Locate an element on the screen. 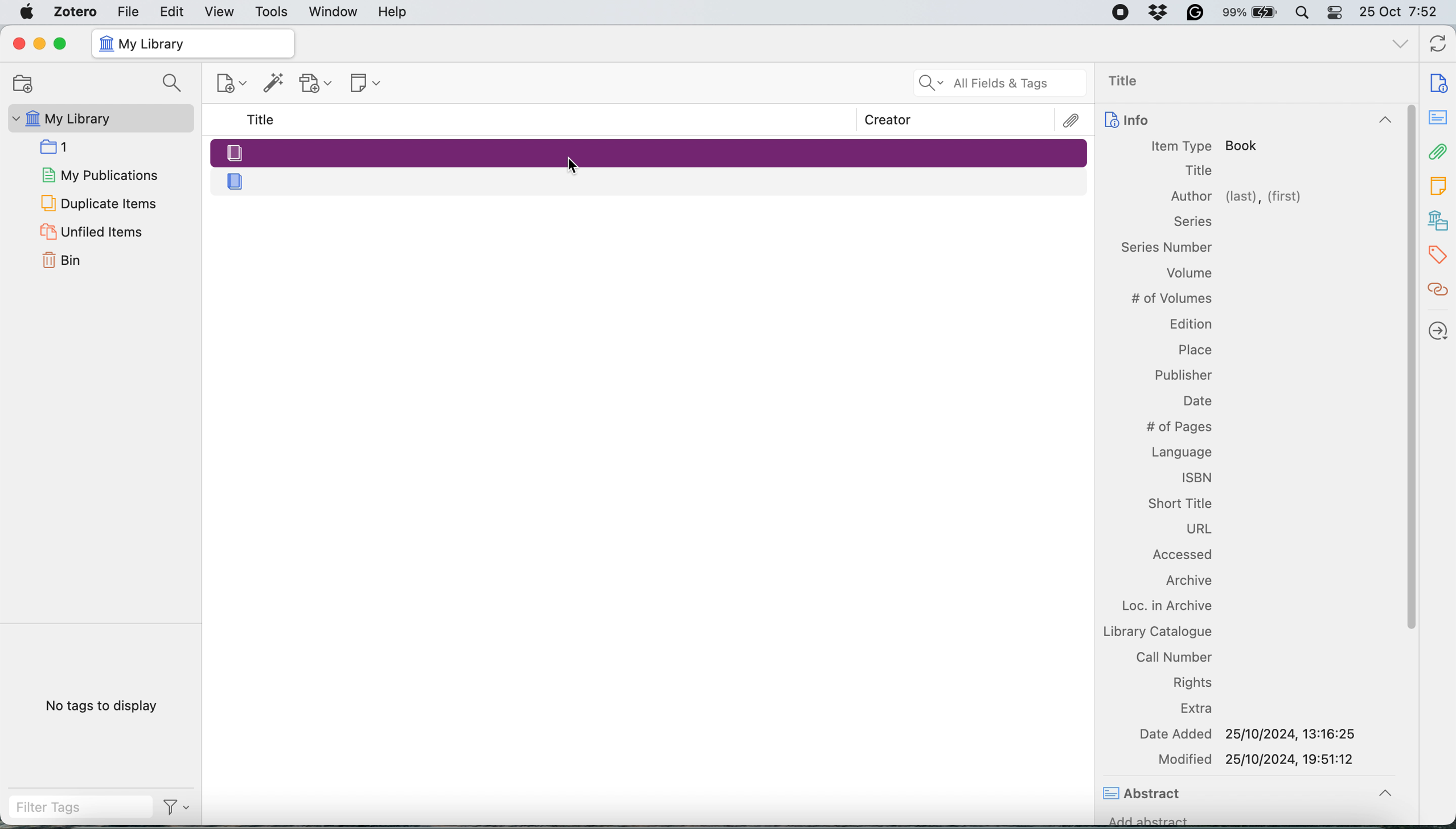 This screenshot has height=829, width=1456. Citations is located at coordinates (1439, 290).